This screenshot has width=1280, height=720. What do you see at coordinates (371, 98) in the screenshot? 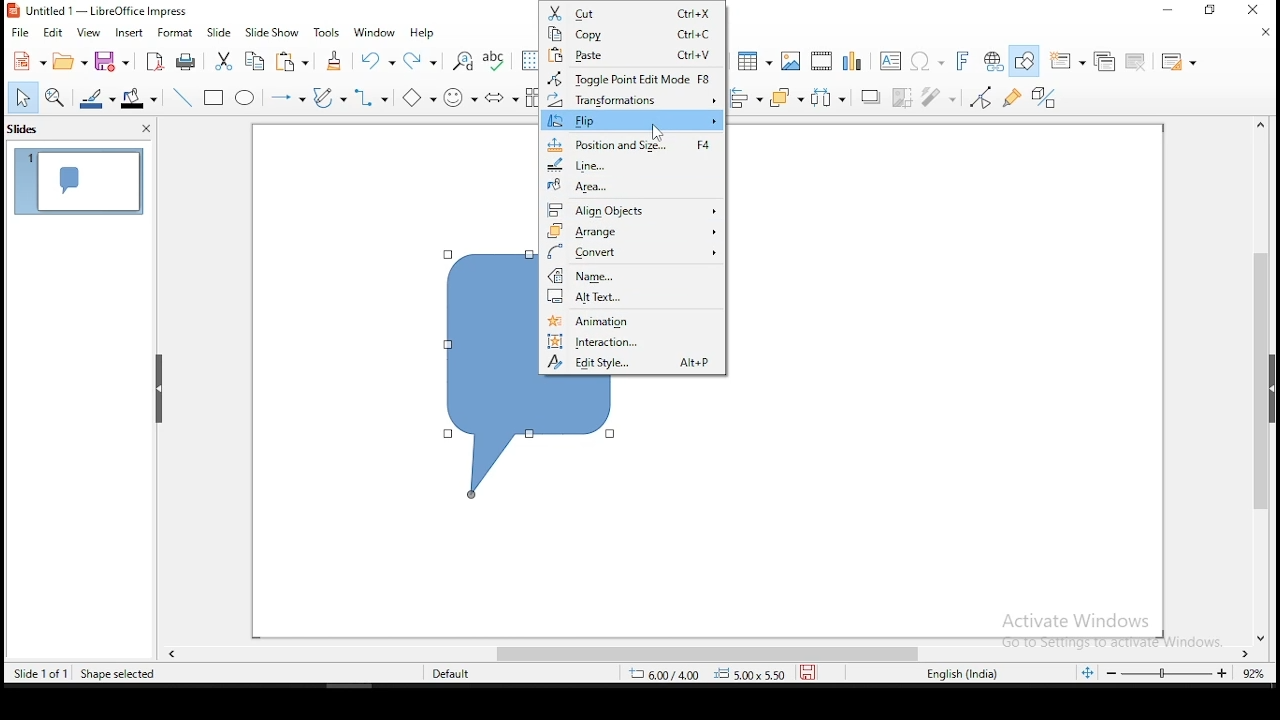
I see `connectors` at bounding box center [371, 98].